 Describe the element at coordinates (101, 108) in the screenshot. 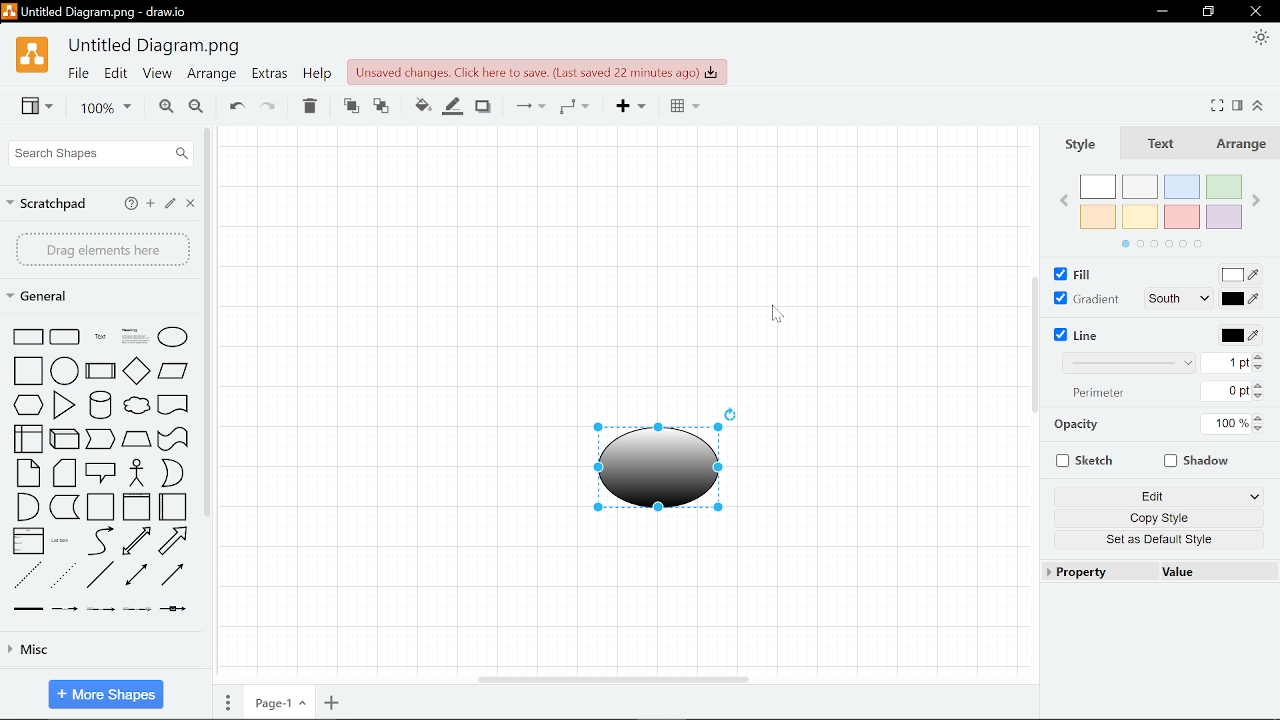

I see `Current zoom` at that location.